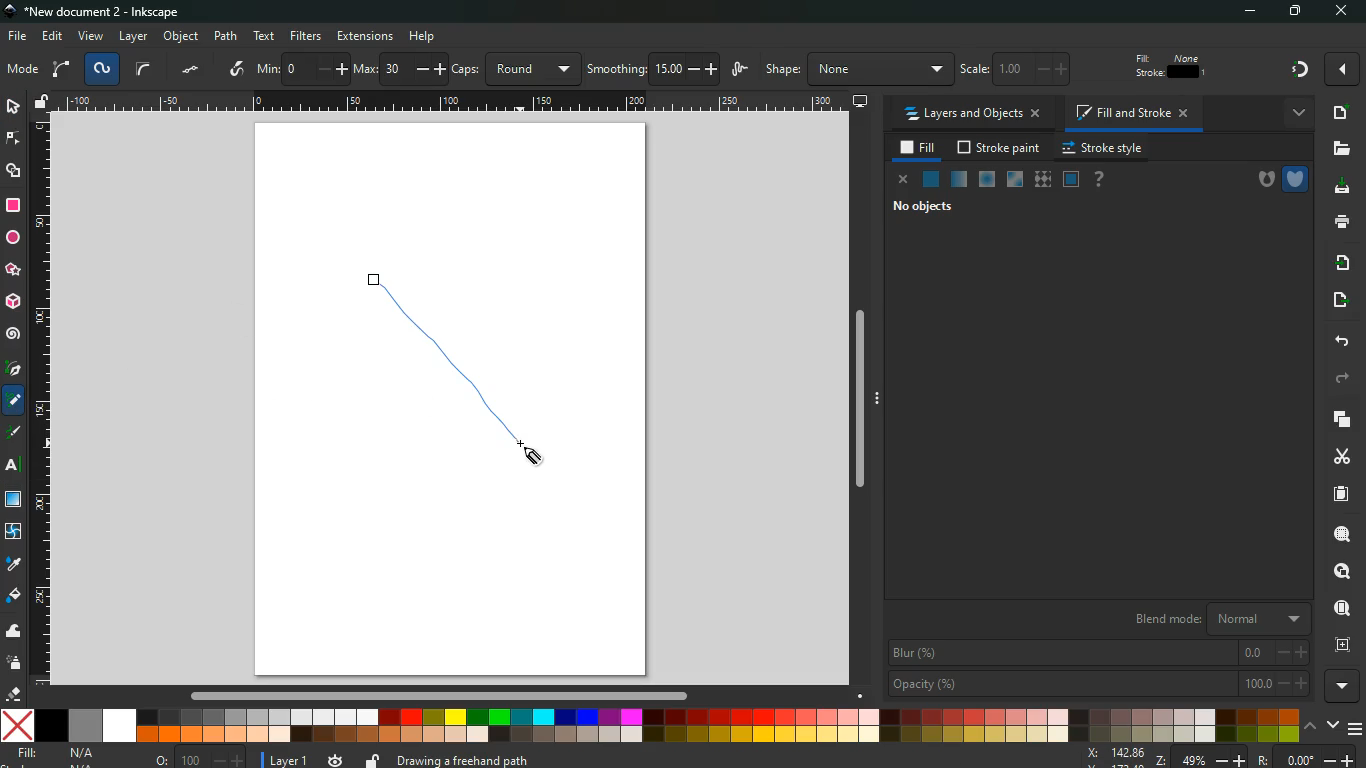  Describe the element at coordinates (12, 239) in the screenshot. I see `circle` at that location.